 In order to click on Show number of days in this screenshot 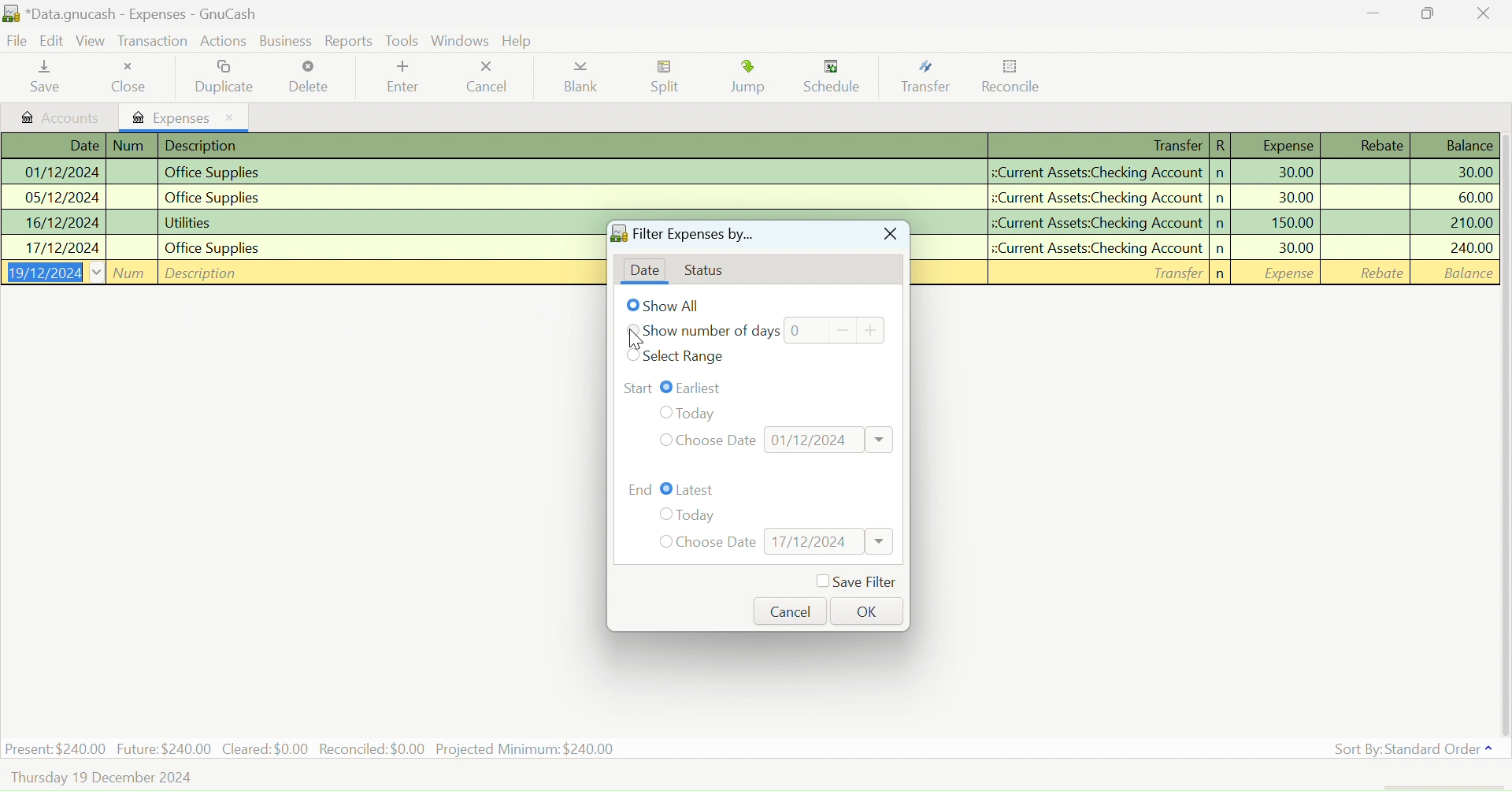, I will do `click(713, 332)`.